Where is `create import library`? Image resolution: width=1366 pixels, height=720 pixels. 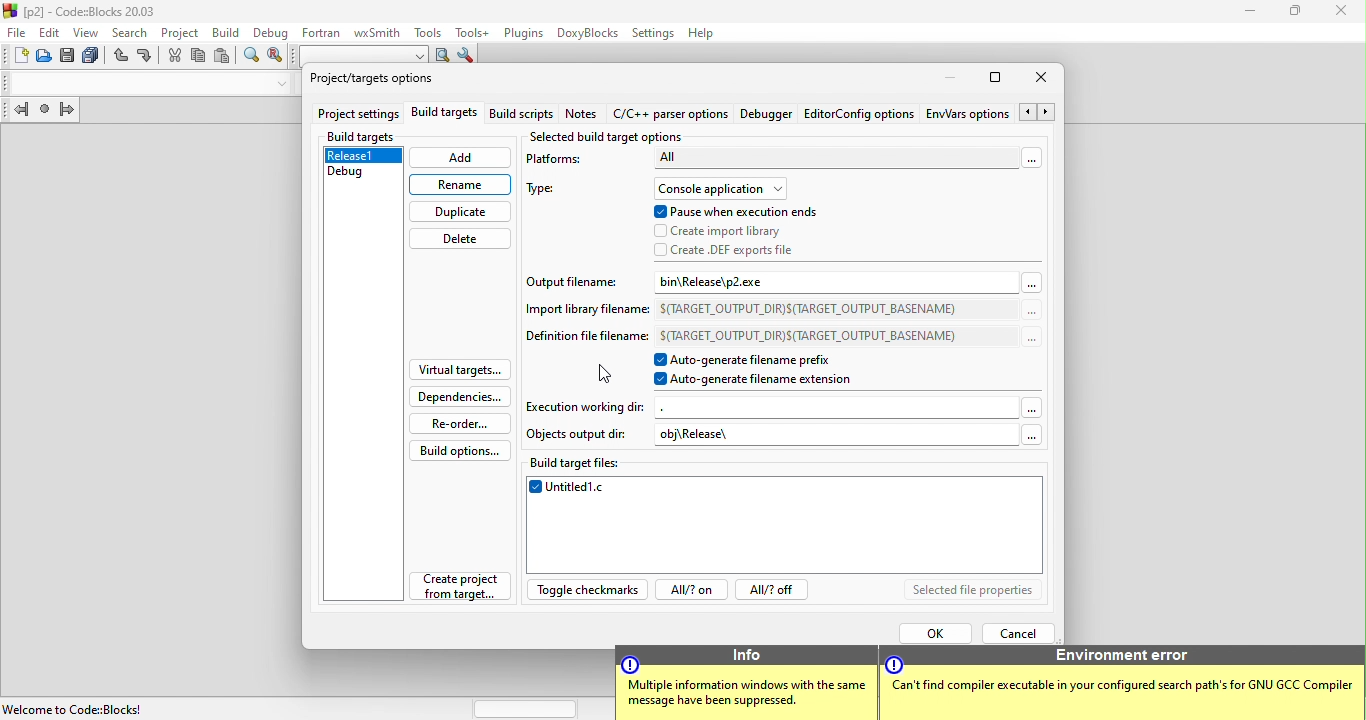
create import library is located at coordinates (724, 232).